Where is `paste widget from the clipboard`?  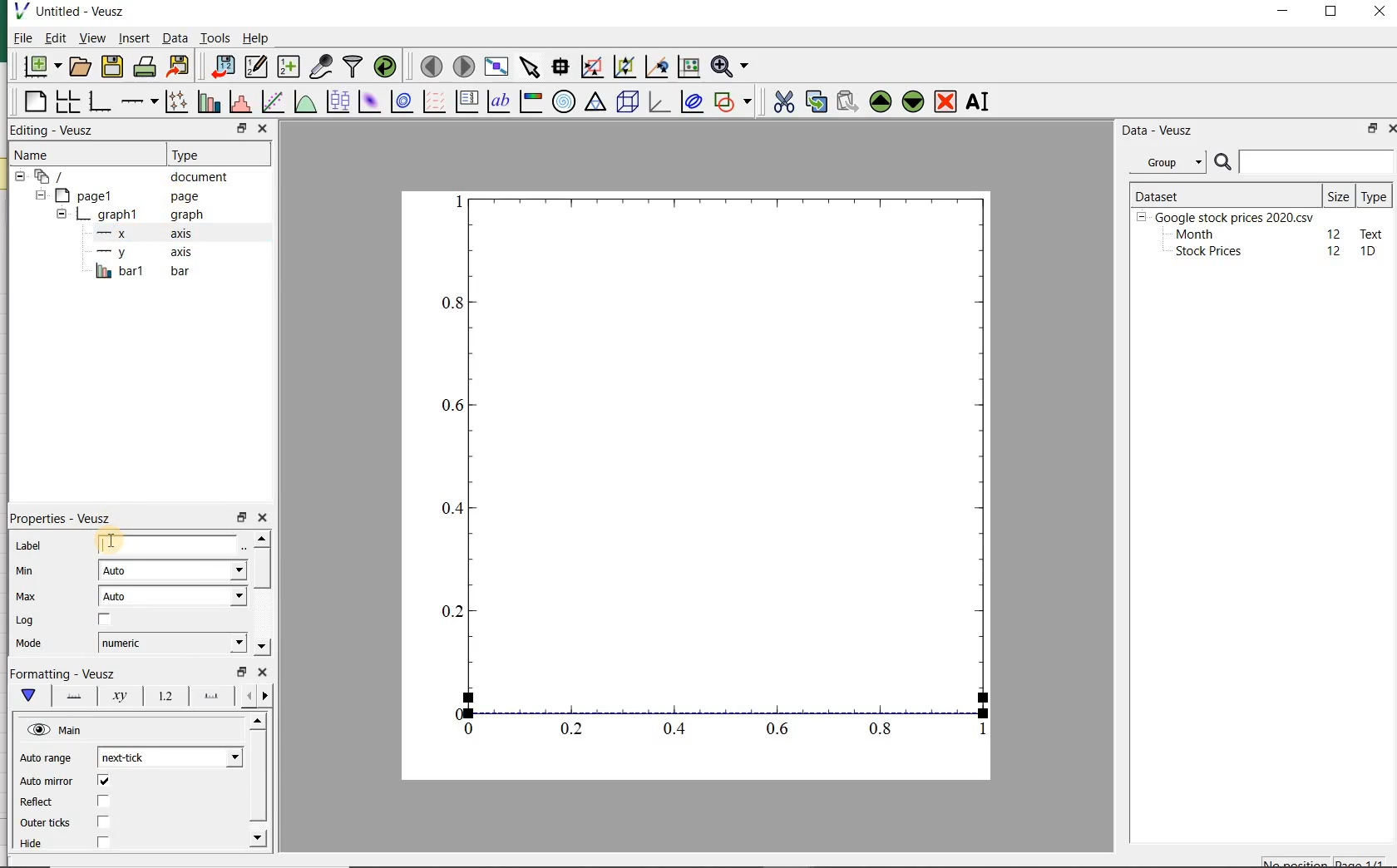
paste widget from the clipboard is located at coordinates (847, 102).